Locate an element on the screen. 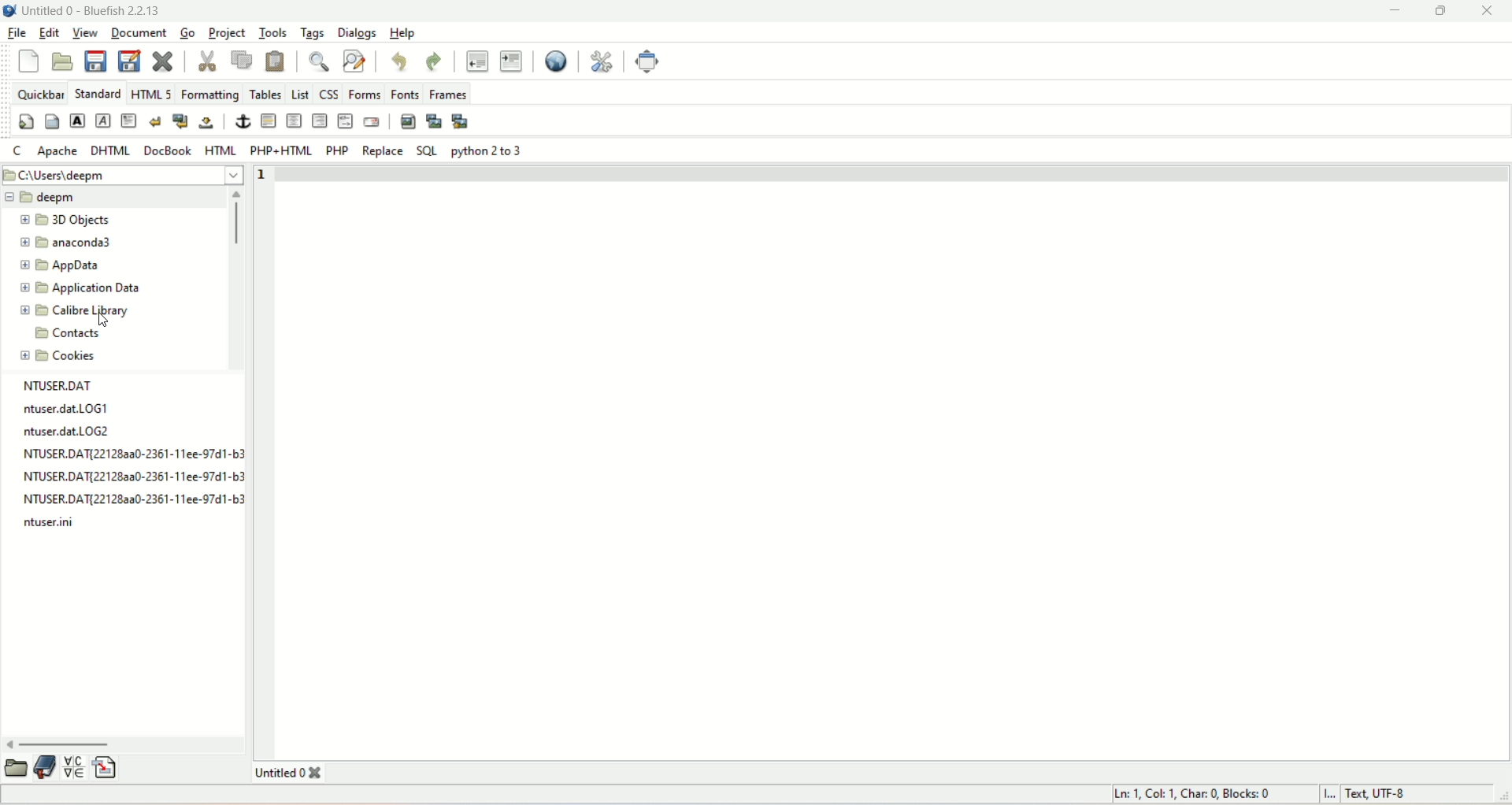 This screenshot has width=1512, height=805. project is located at coordinates (229, 33).